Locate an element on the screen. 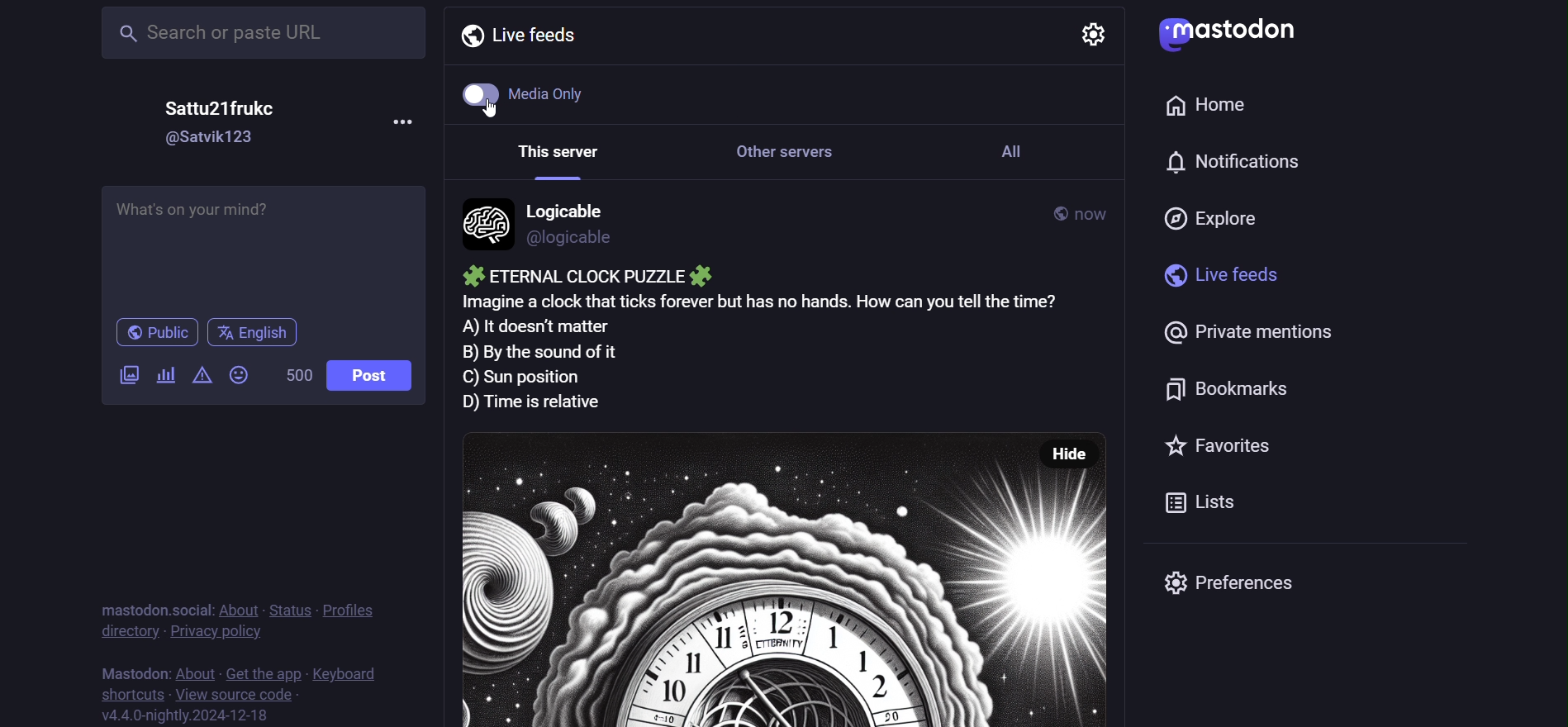  private mention is located at coordinates (1235, 330).